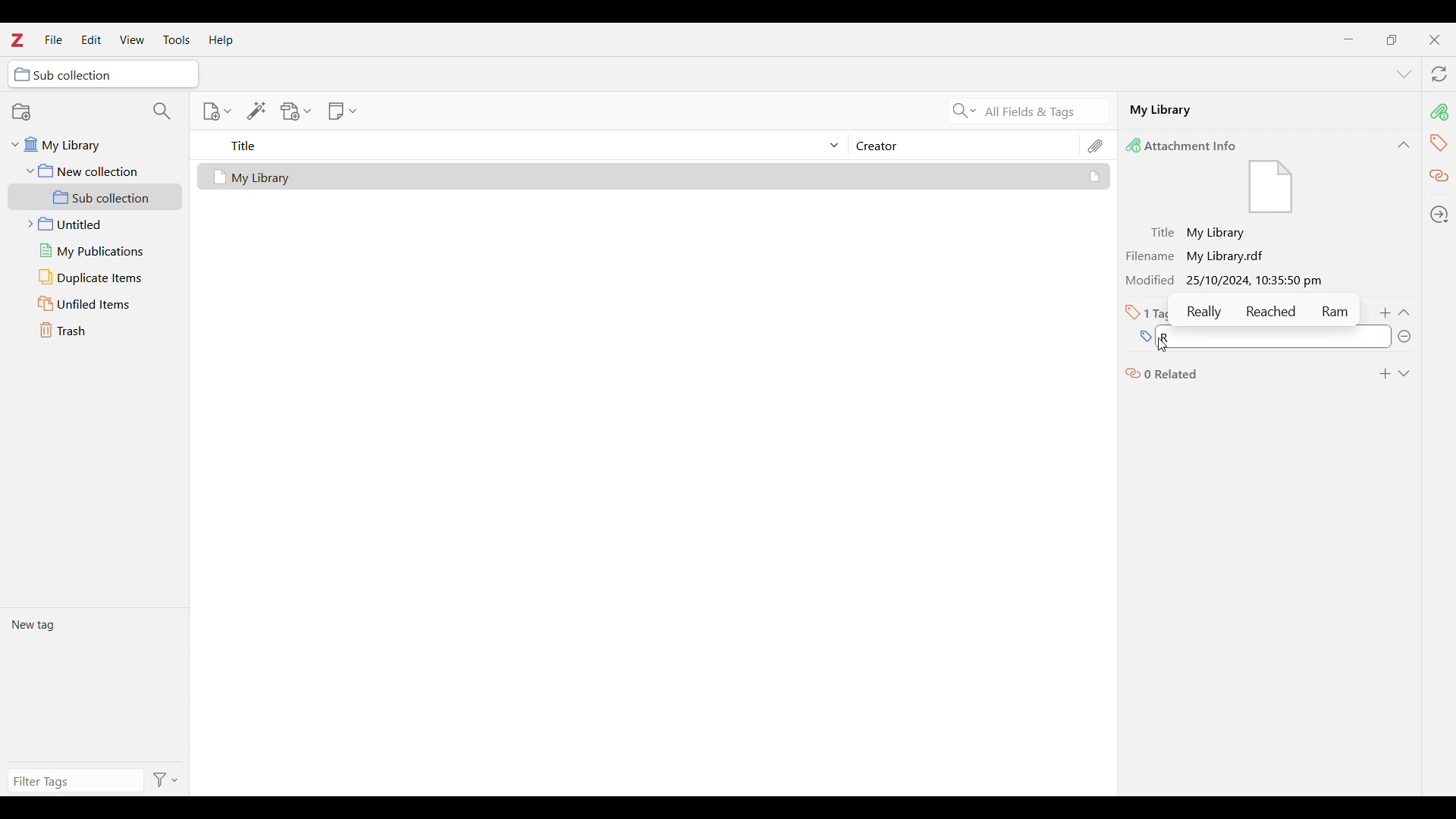  I want to click on Add attachment options, so click(297, 111).